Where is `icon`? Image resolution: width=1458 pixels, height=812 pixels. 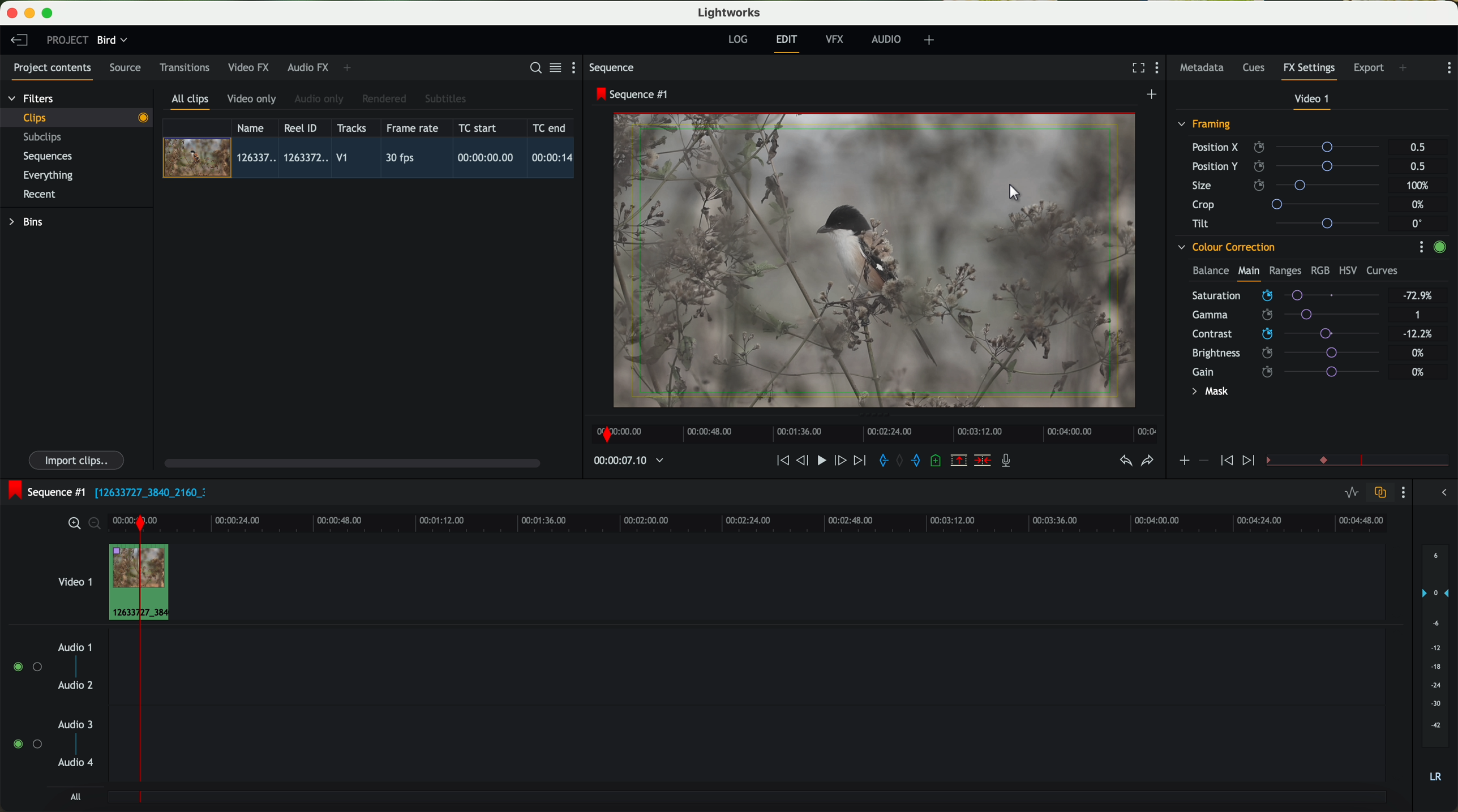
icon is located at coordinates (1203, 461).